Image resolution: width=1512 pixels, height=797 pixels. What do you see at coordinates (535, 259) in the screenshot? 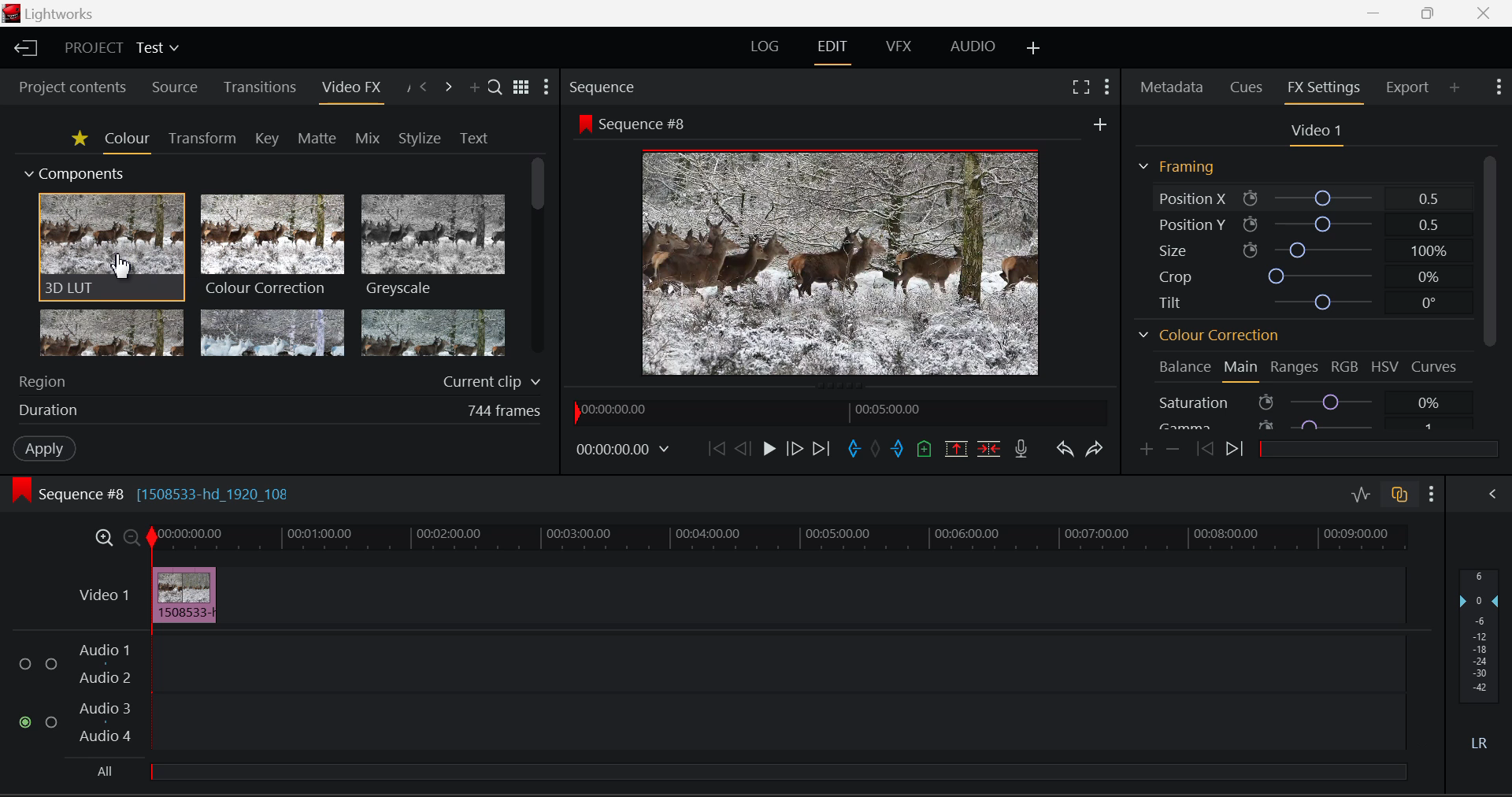
I see `Scroll Bar` at bounding box center [535, 259].